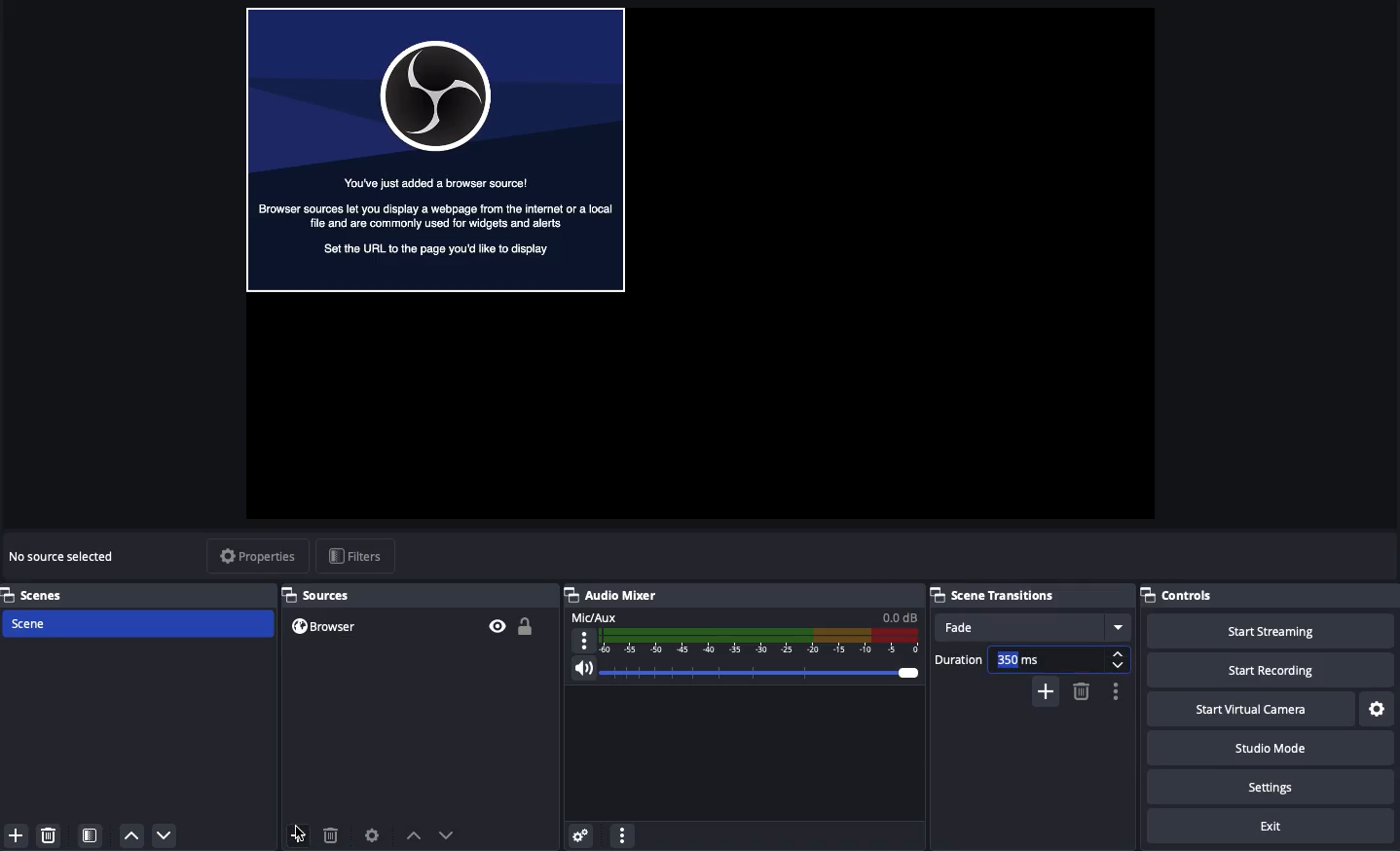  What do you see at coordinates (1117, 693) in the screenshot?
I see `Options` at bounding box center [1117, 693].